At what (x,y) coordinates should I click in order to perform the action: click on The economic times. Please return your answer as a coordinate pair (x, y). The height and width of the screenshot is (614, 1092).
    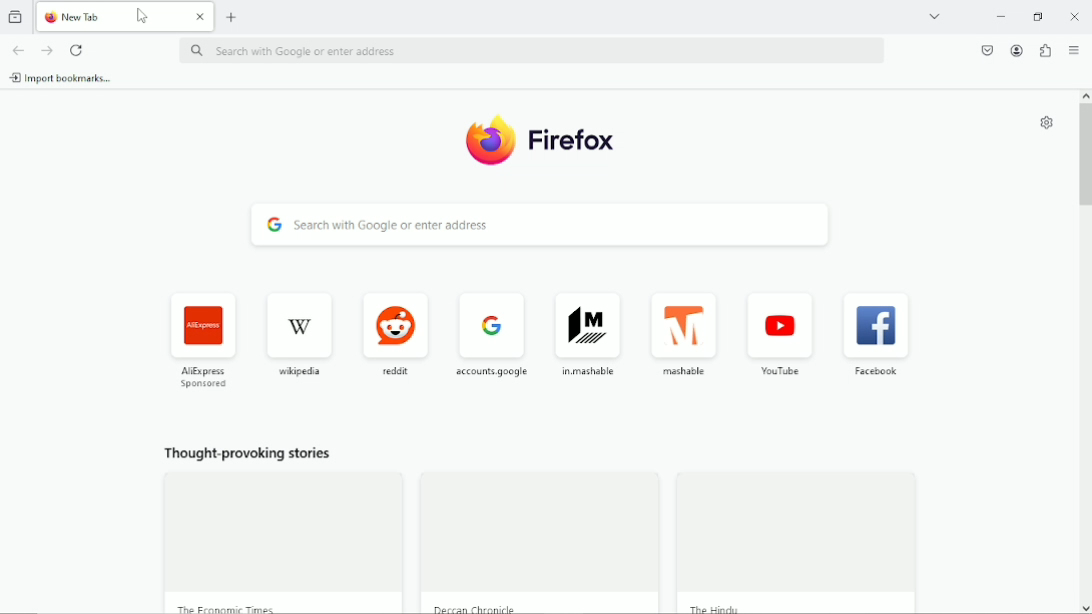
    Looking at the image, I should click on (225, 606).